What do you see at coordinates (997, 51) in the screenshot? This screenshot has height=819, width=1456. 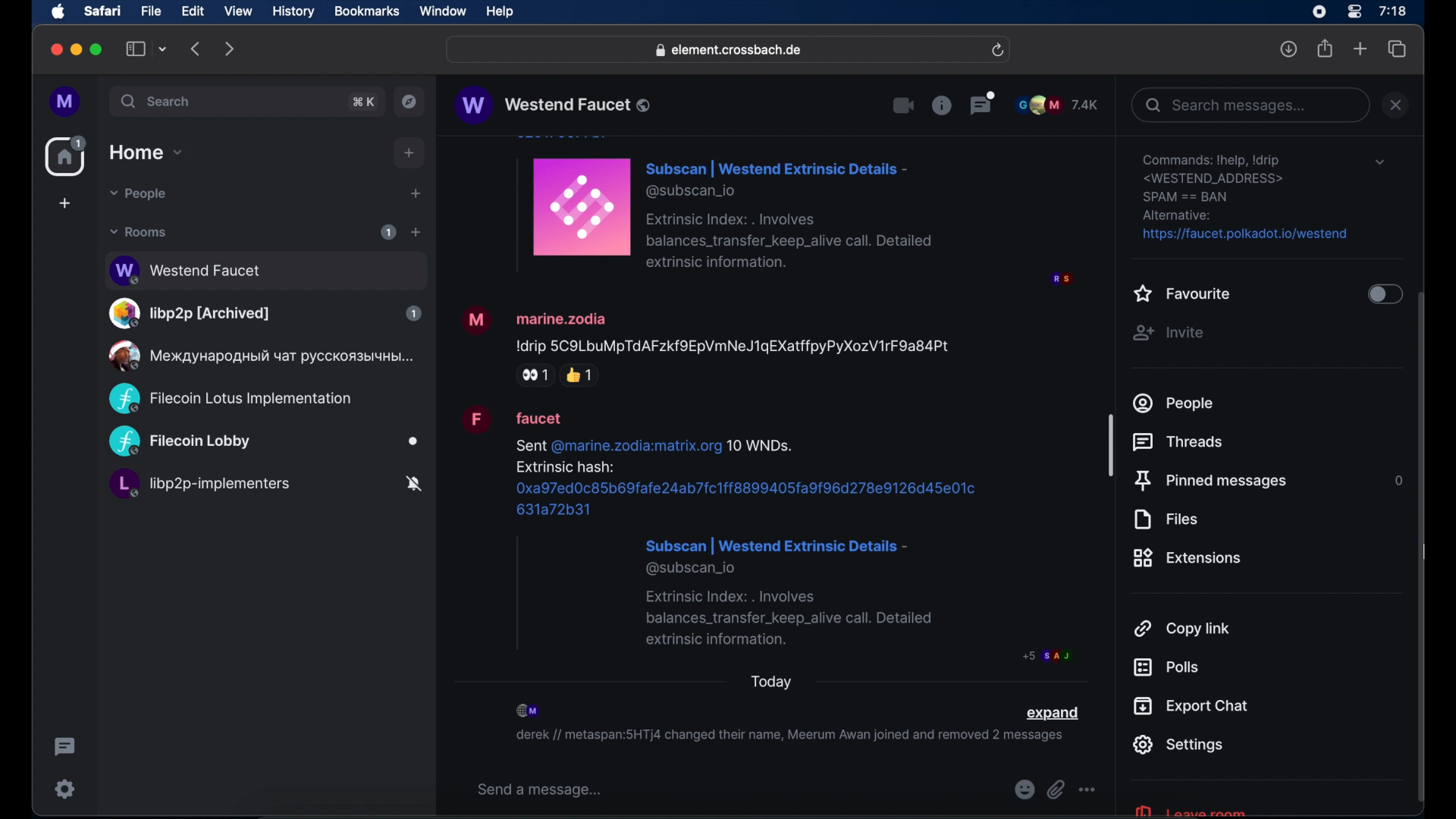 I see `refresh` at bounding box center [997, 51].